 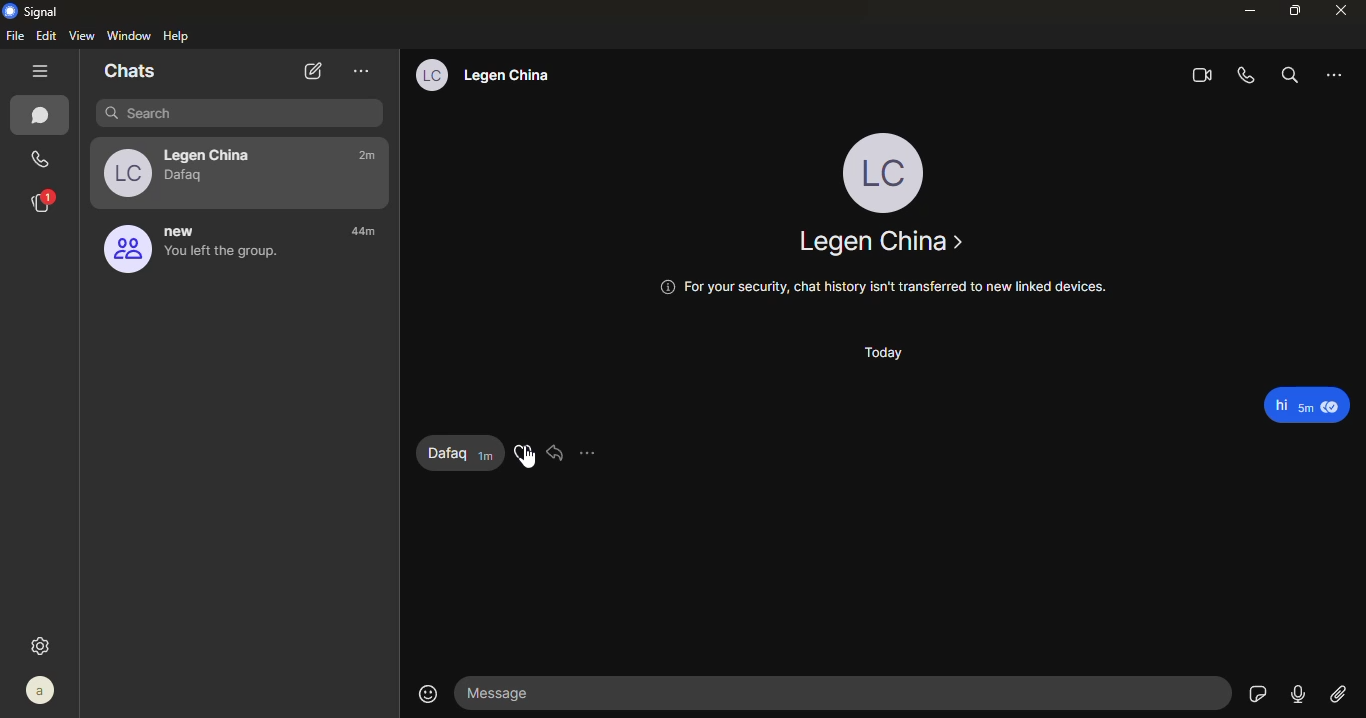 What do you see at coordinates (427, 696) in the screenshot?
I see `emoji` at bounding box center [427, 696].